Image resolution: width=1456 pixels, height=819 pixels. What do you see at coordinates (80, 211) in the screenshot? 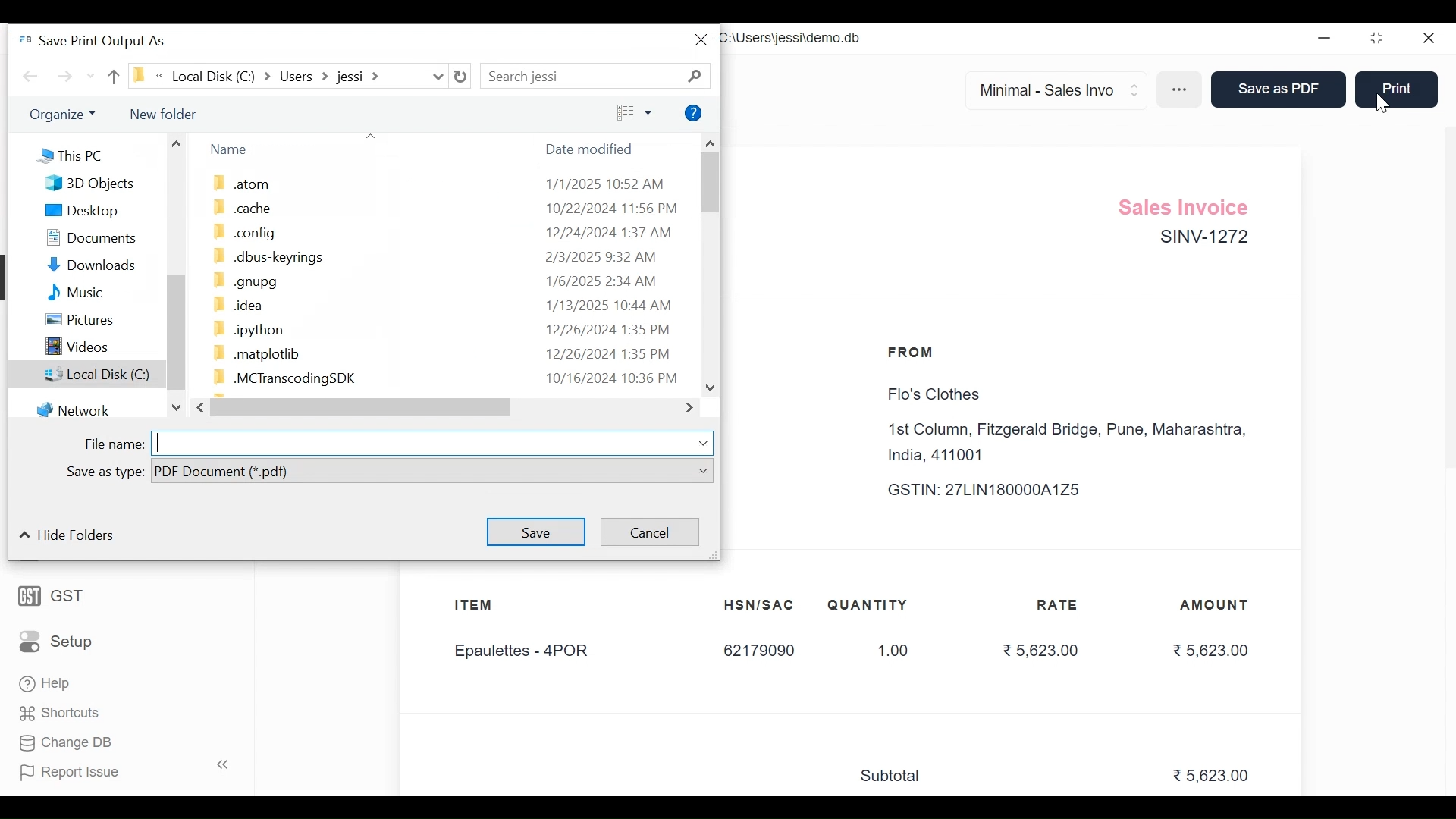
I see `Desktop` at bounding box center [80, 211].